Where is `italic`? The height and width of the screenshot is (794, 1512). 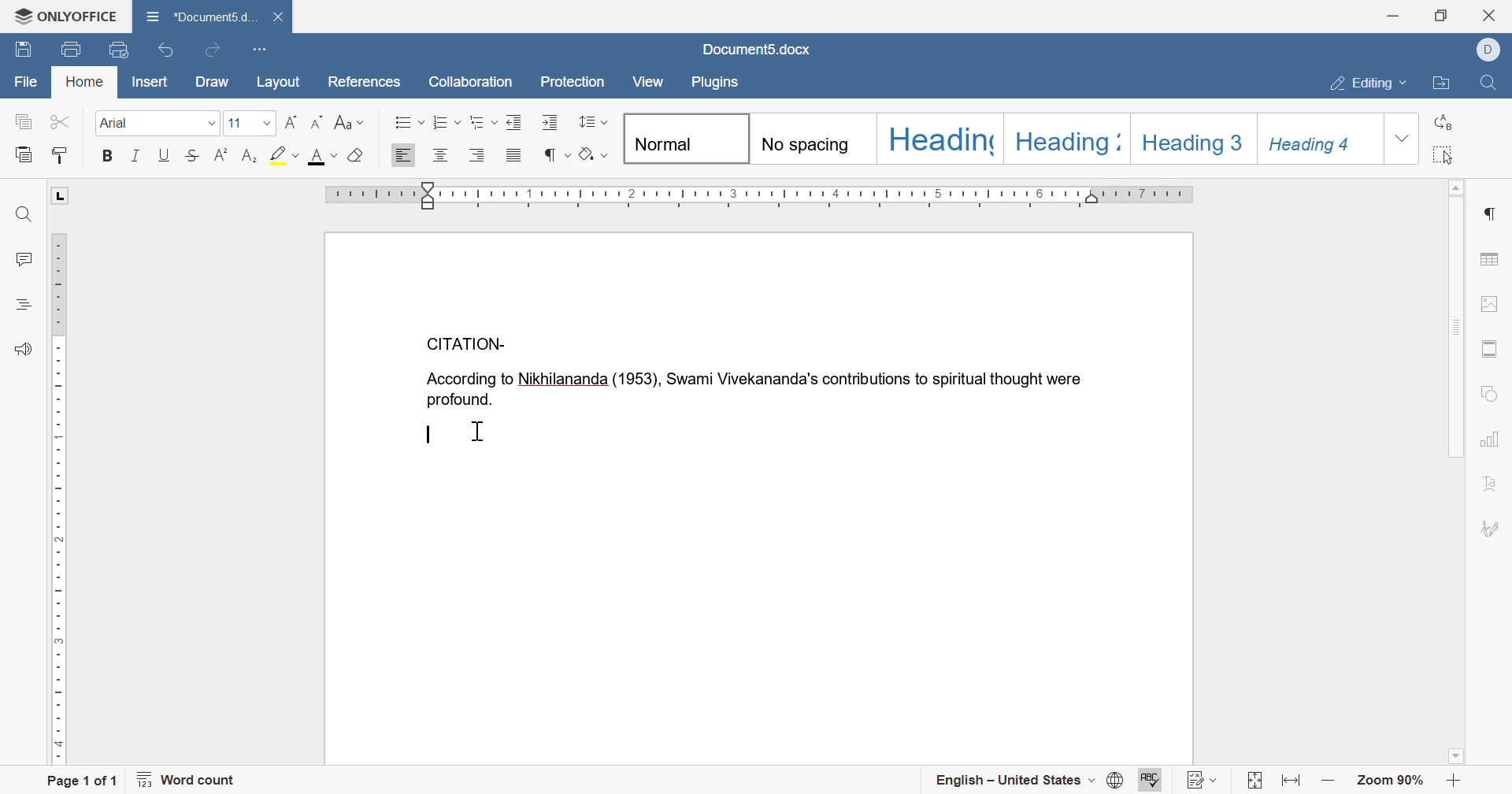 italic is located at coordinates (138, 156).